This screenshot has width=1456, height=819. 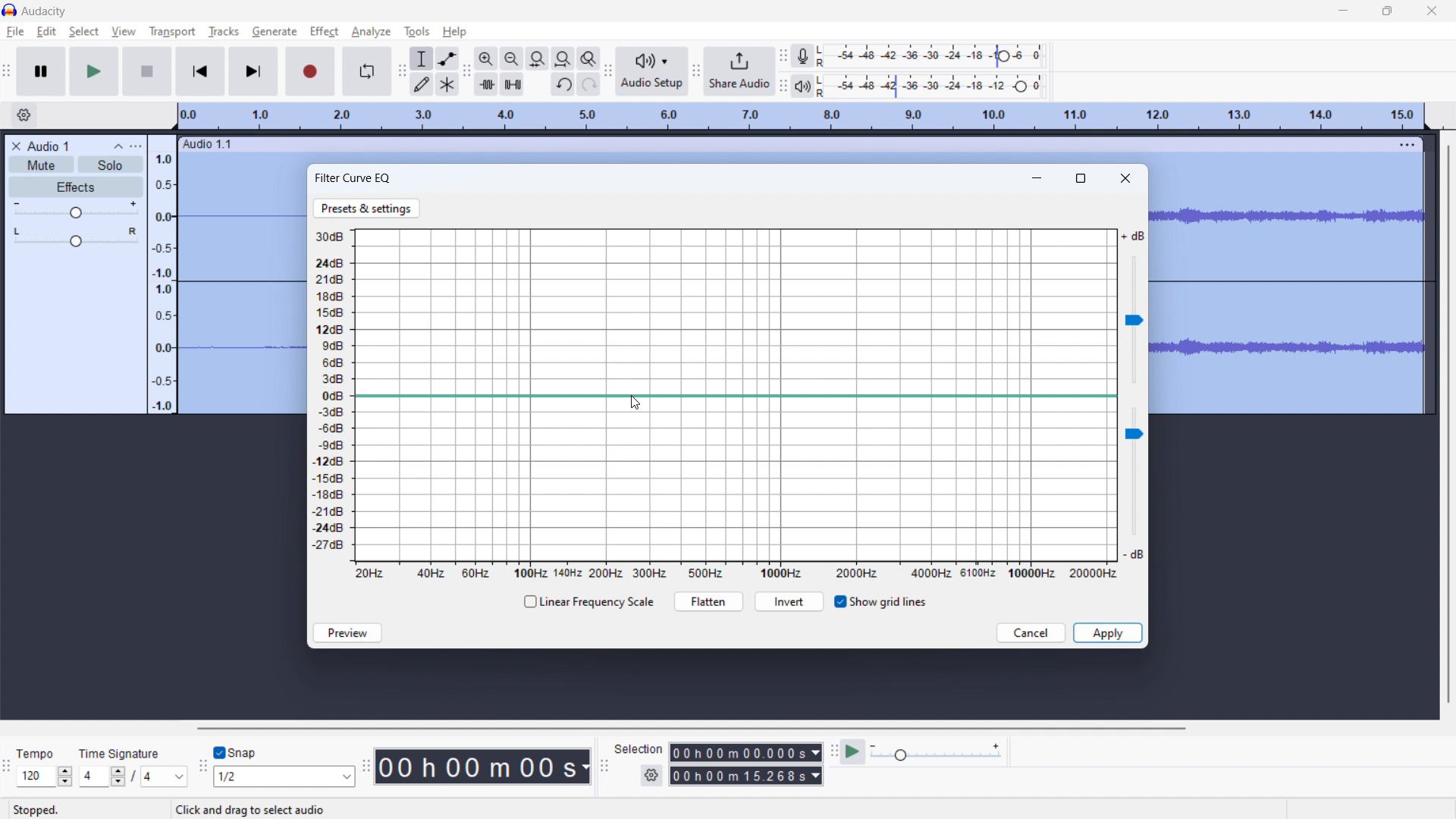 I want to click on frequency scale, so click(x=736, y=572).